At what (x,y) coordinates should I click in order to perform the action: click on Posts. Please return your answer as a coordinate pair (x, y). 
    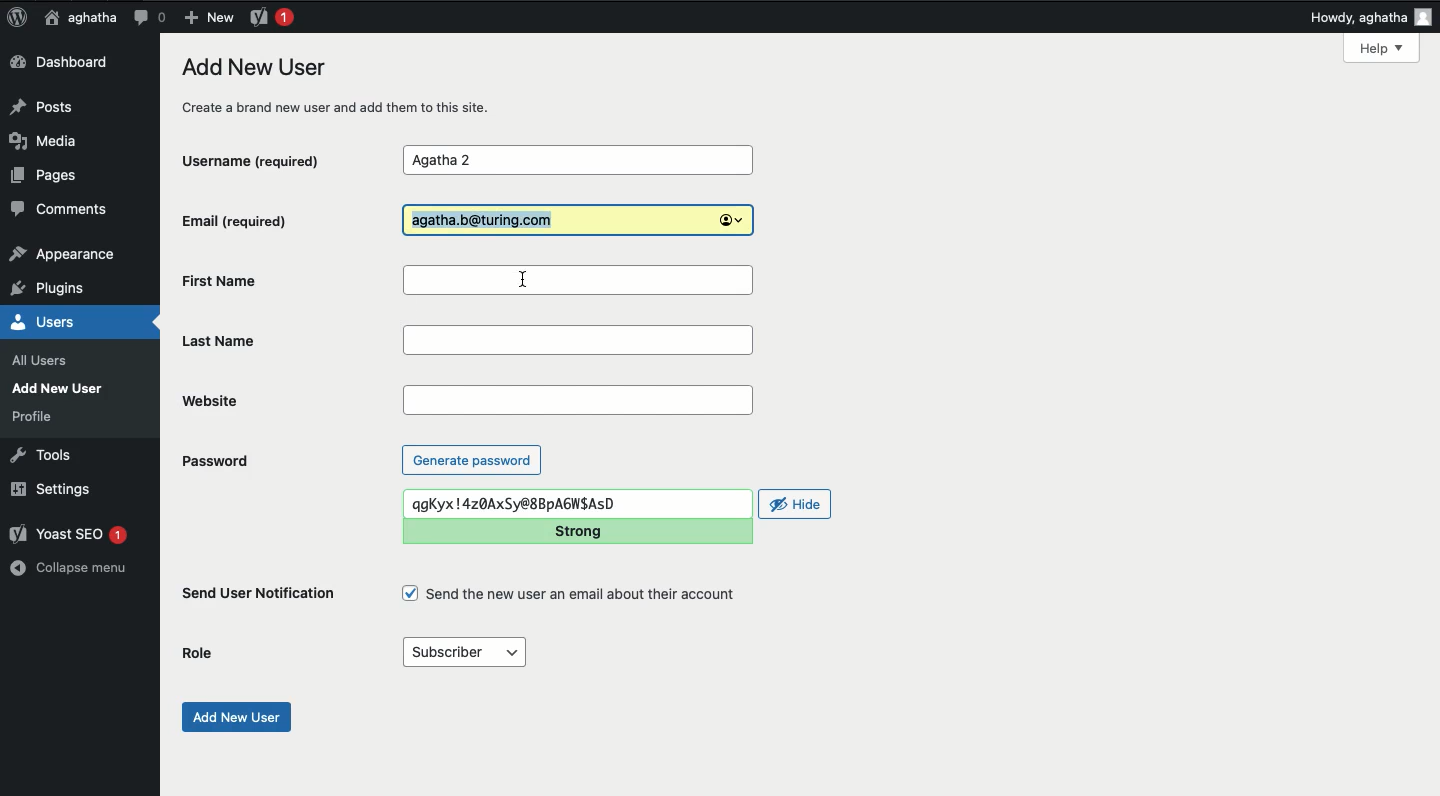
    Looking at the image, I should click on (47, 105).